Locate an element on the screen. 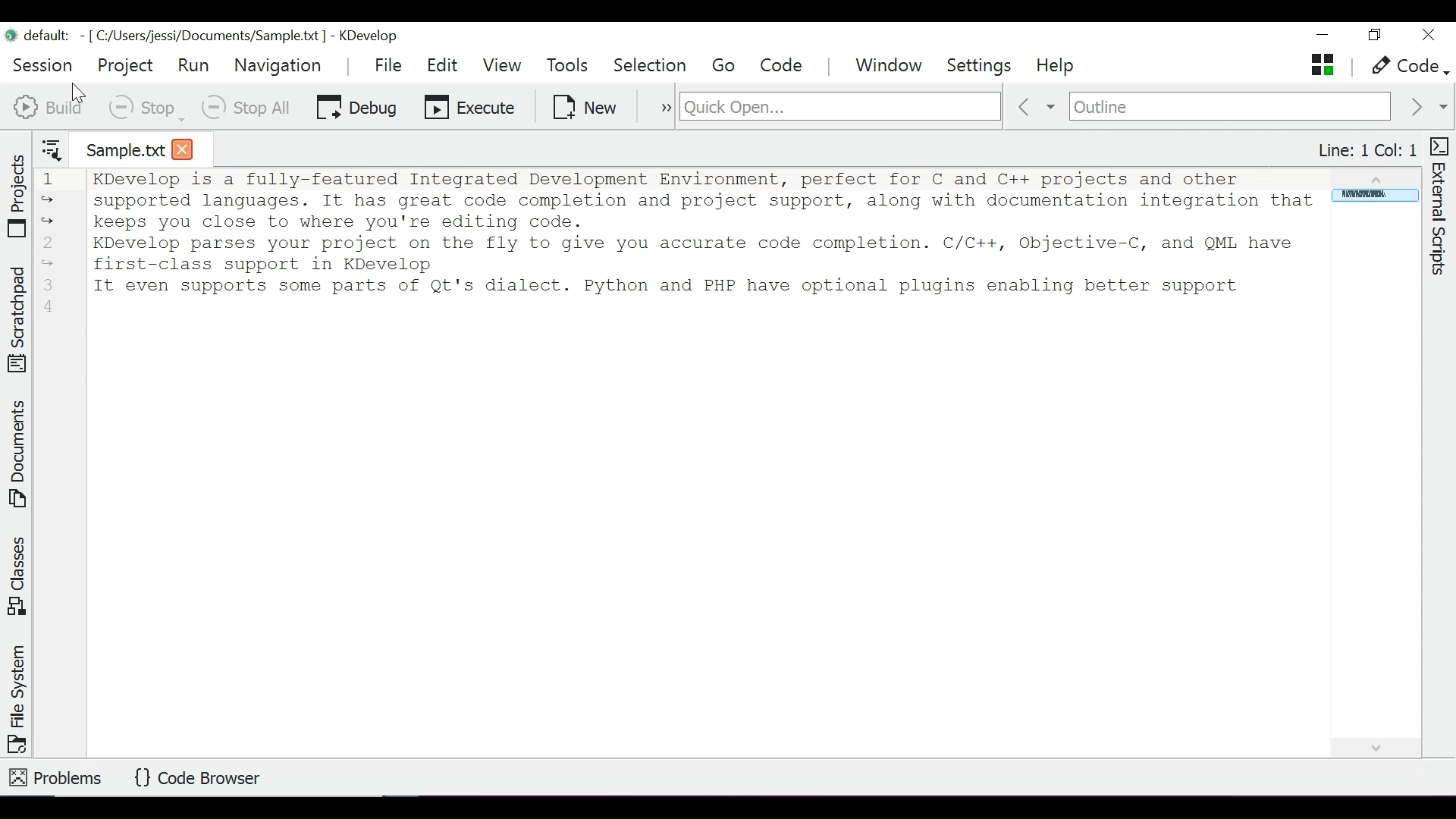  Execute is located at coordinates (470, 107).